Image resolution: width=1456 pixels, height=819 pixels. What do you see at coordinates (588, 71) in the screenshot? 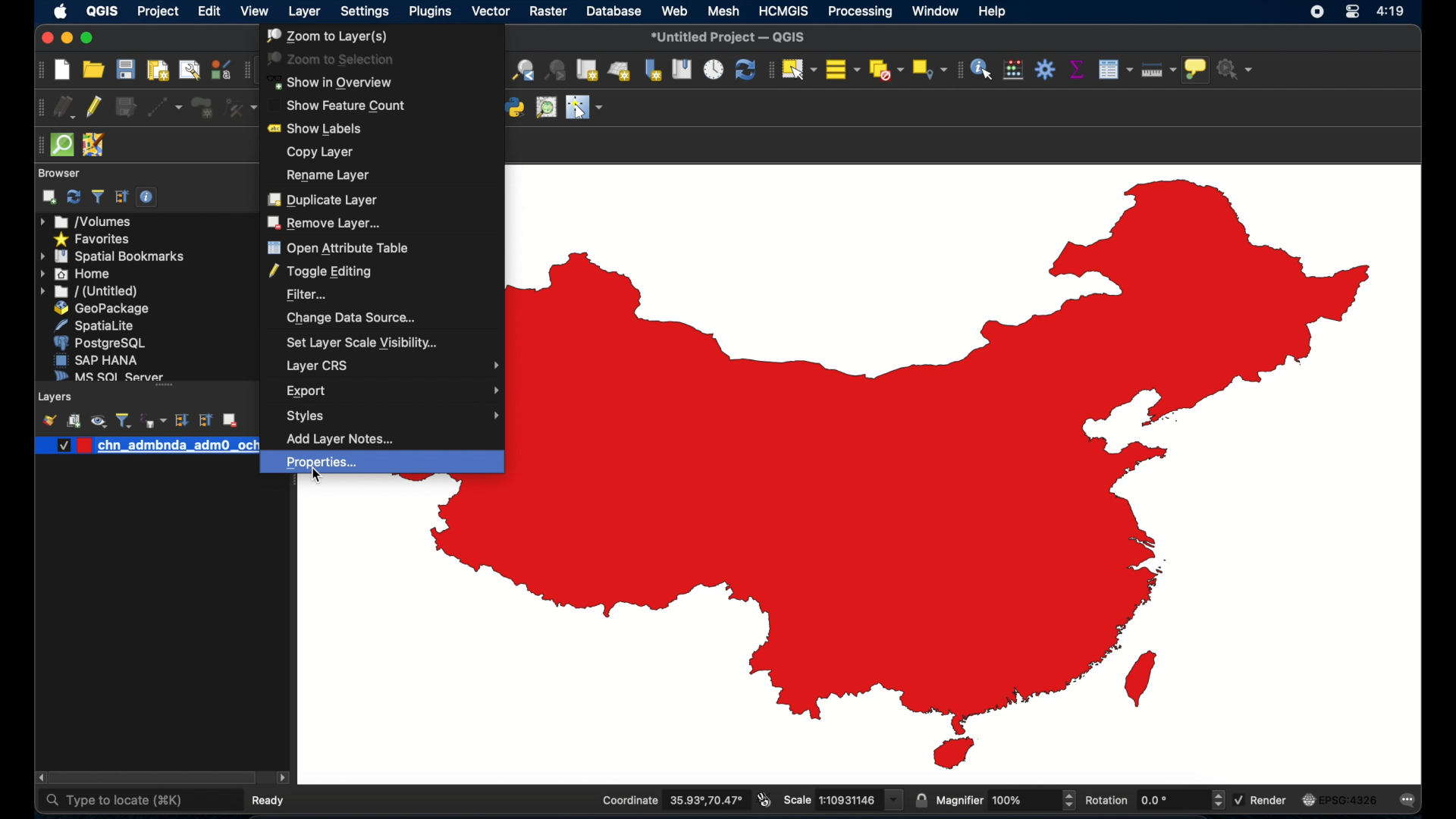
I see `new map view` at bounding box center [588, 71].